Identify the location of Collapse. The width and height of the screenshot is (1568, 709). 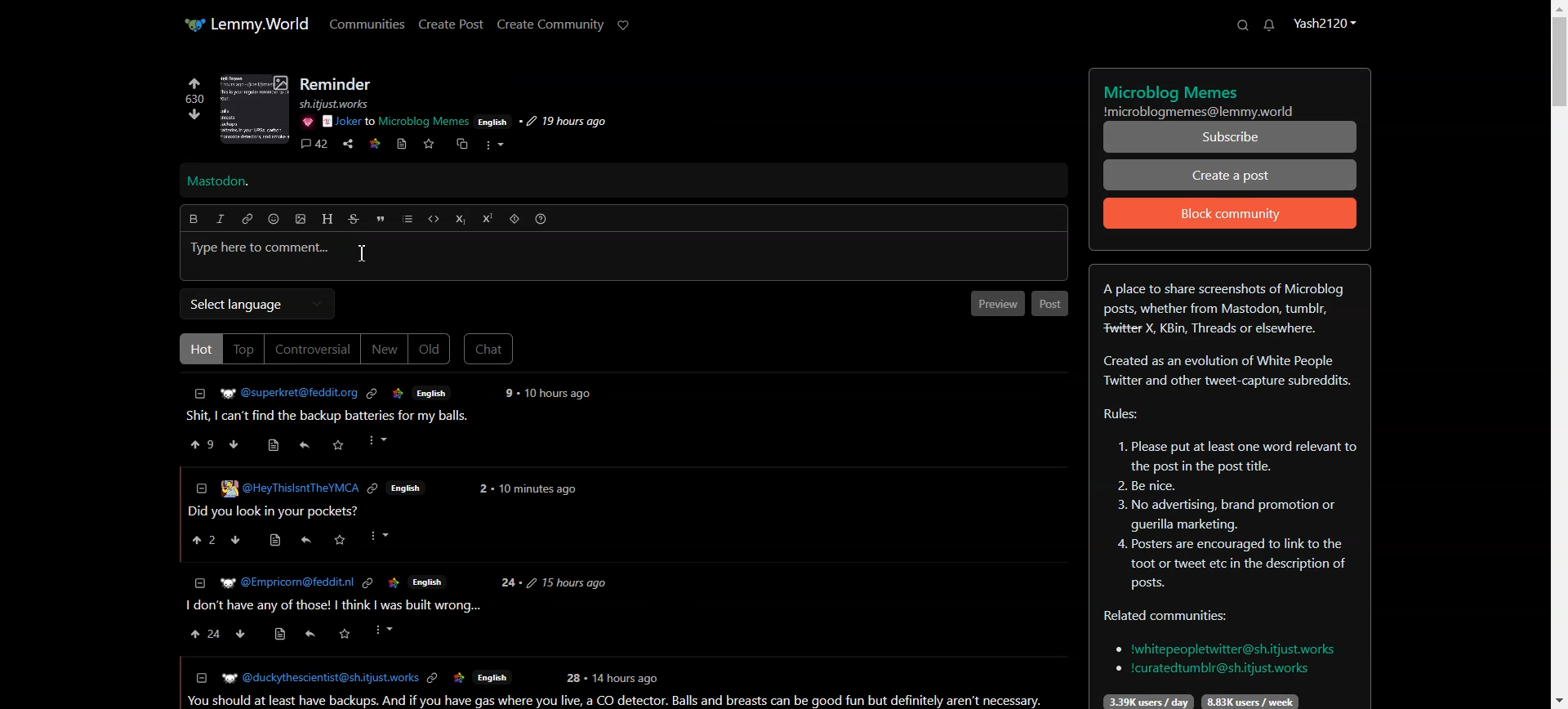
(200, 394).